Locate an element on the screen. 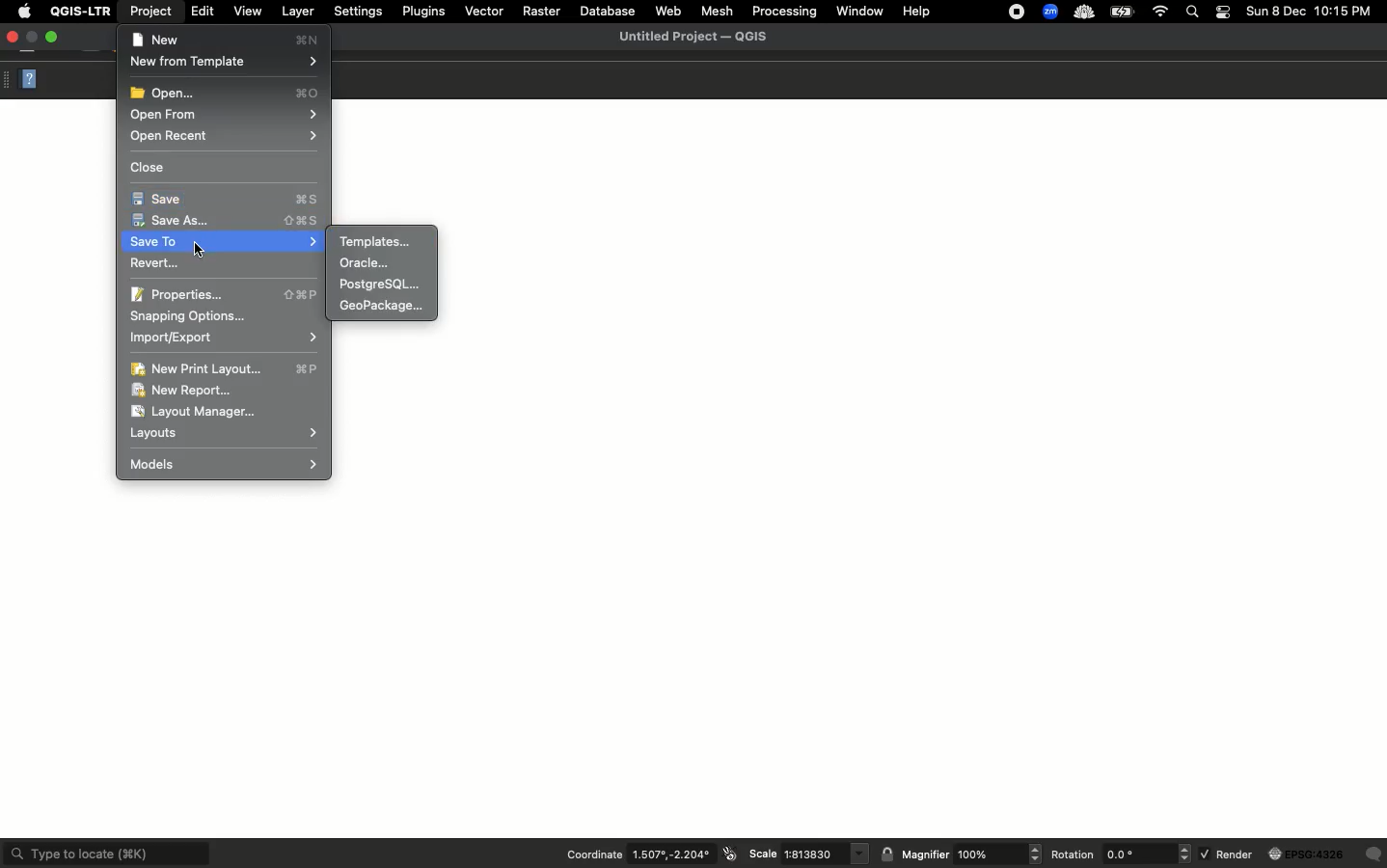 Image resolution: width=1387 pixels, height=868 pixels. Plugins is located at coordinates (424, 12).